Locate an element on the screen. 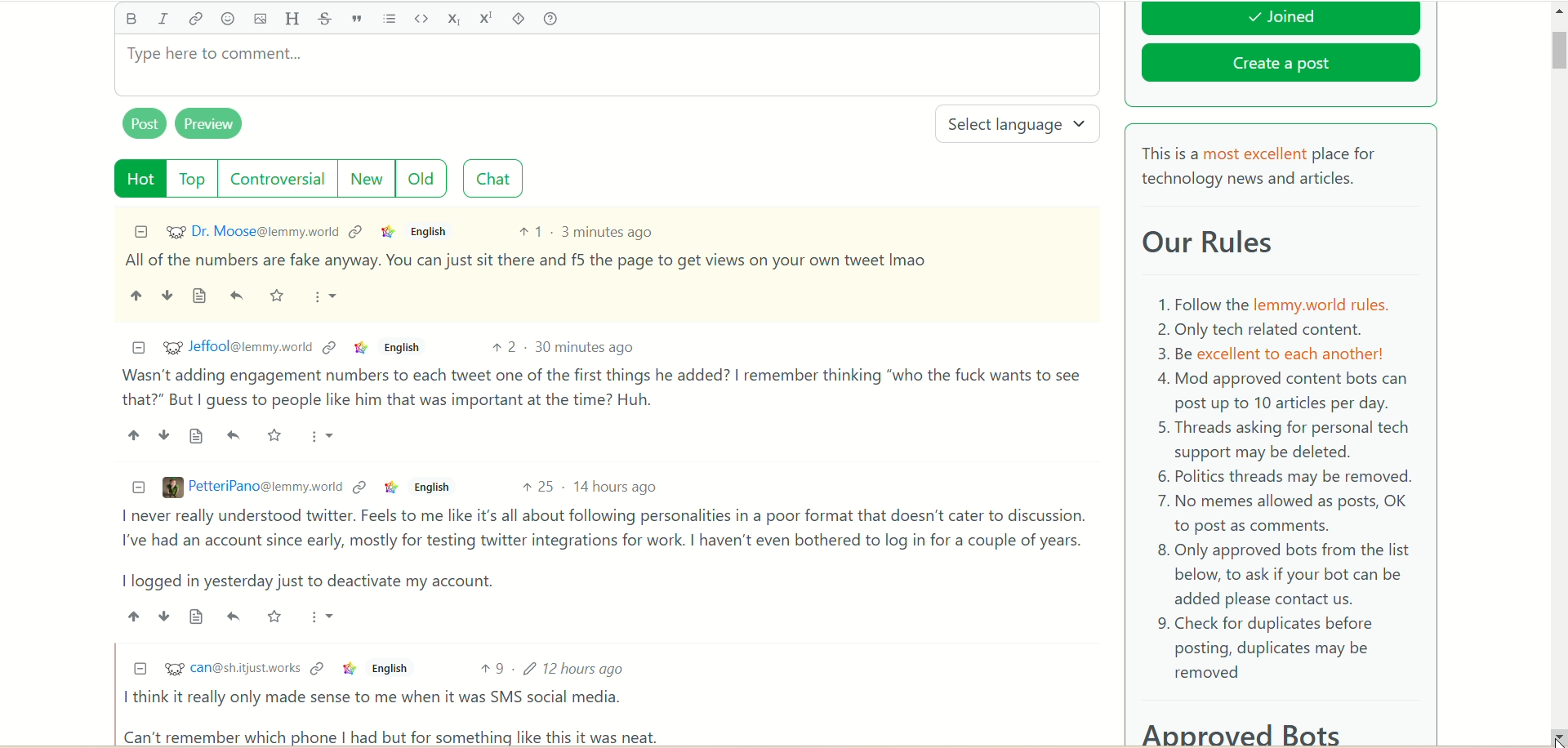  subscript is located at coordinates (455, 18).